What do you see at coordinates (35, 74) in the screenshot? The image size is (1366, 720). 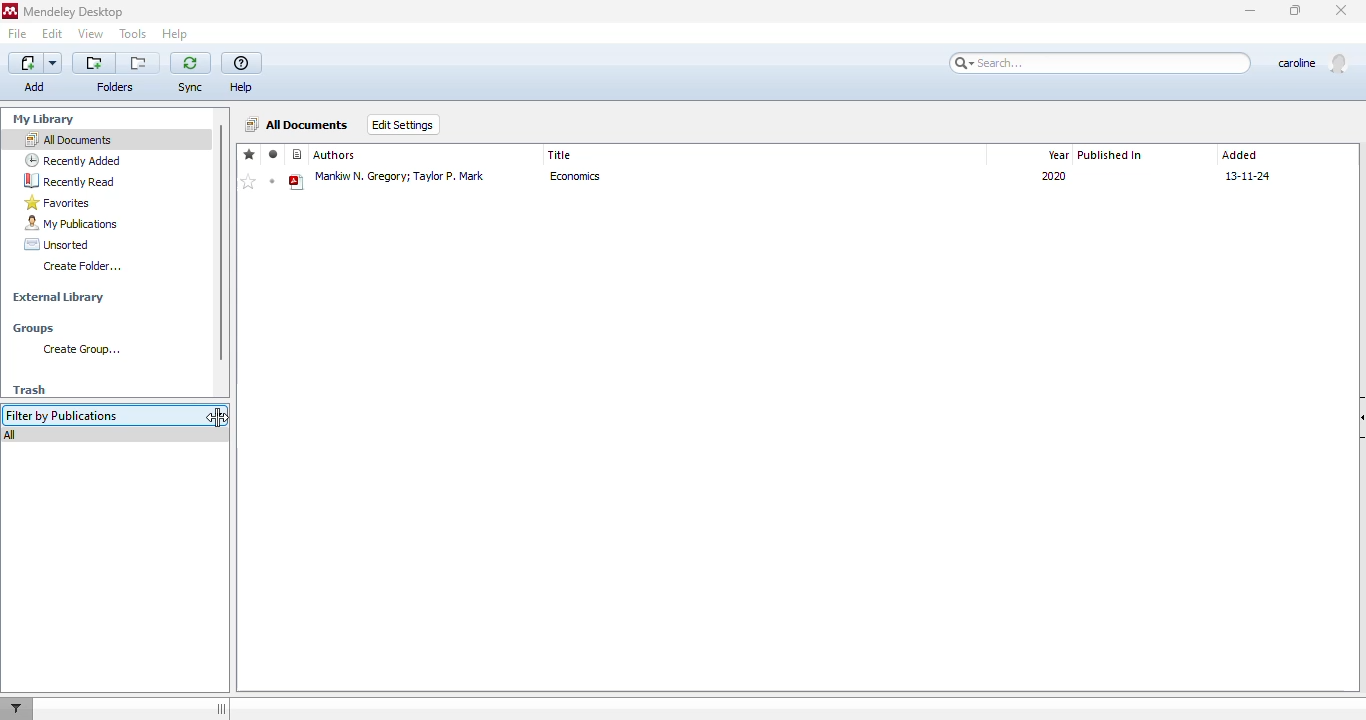 I see `add` at bounding box center [35, 74].